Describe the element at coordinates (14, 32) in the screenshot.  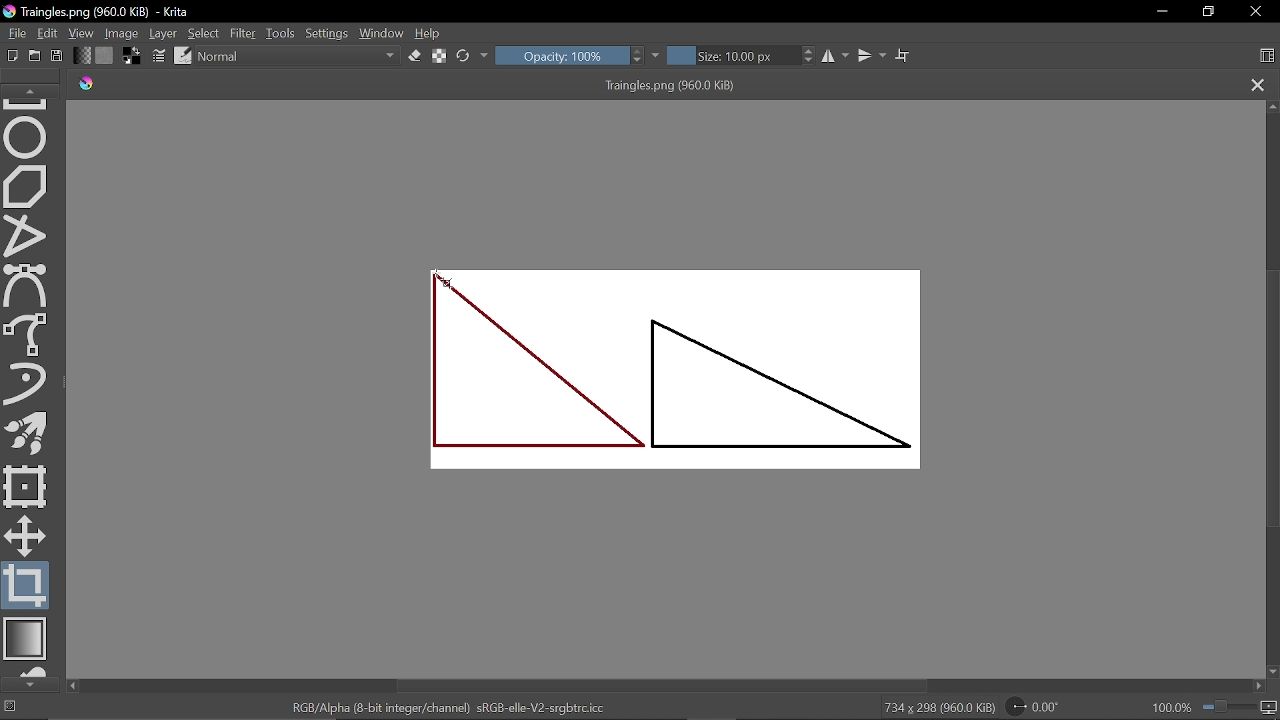
I see `File` at that location.